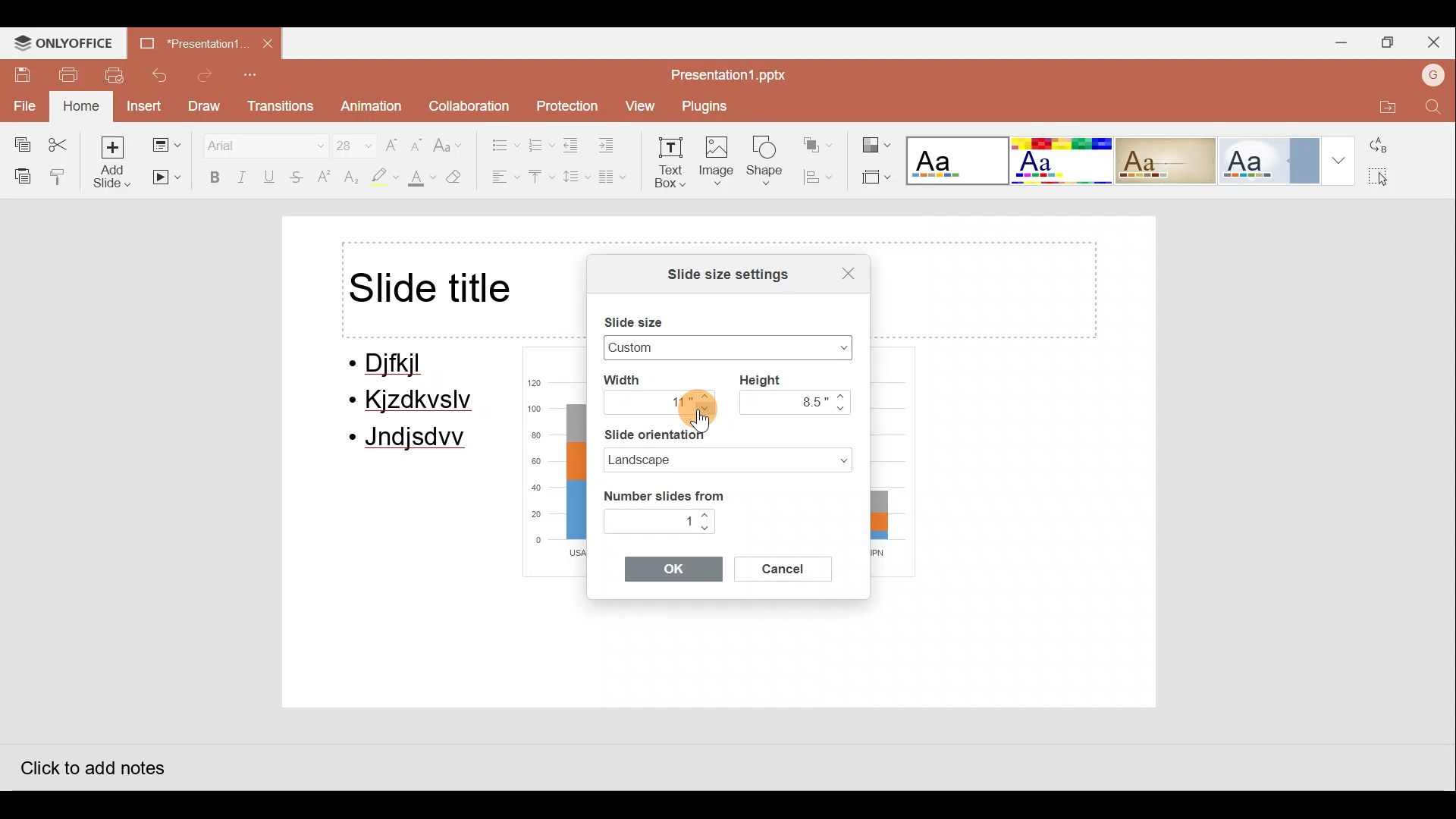  Describe the element at coordinates (1341, 160) in the screenshot. I see `More theme` at that location.